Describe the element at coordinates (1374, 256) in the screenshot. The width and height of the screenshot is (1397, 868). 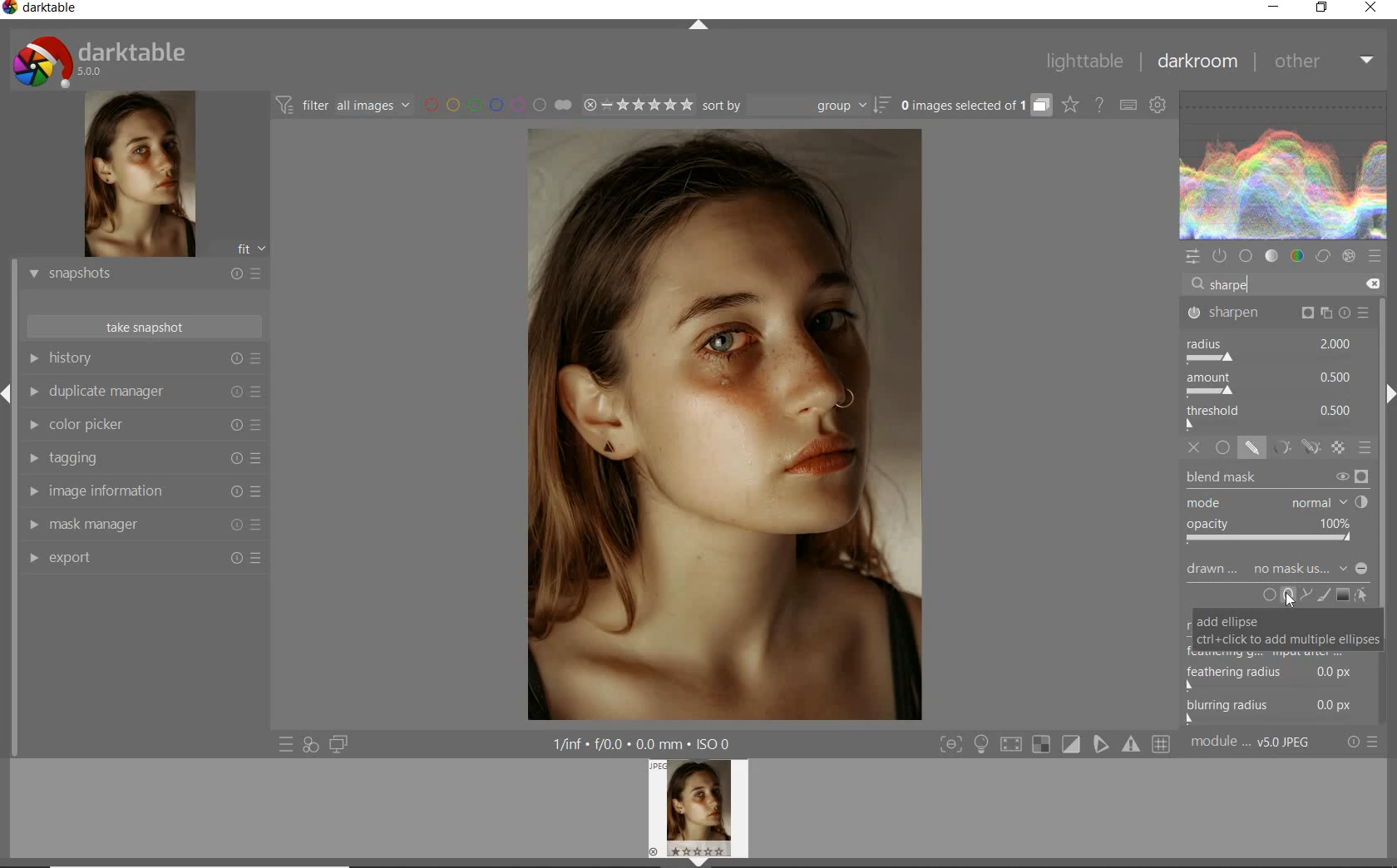
I see `presets` at that location.